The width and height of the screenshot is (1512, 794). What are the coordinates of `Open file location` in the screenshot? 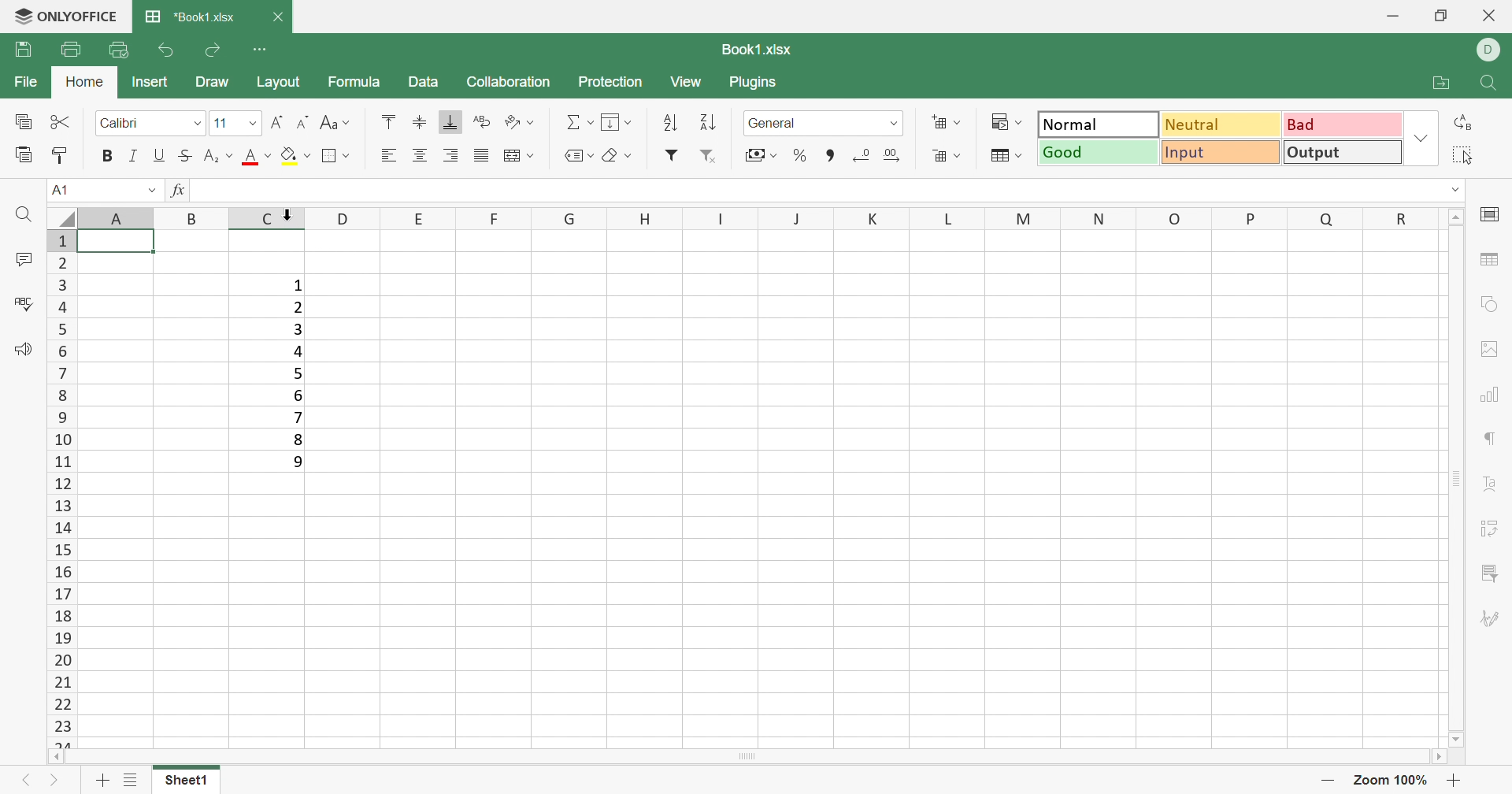 It's located at (1440, 82).